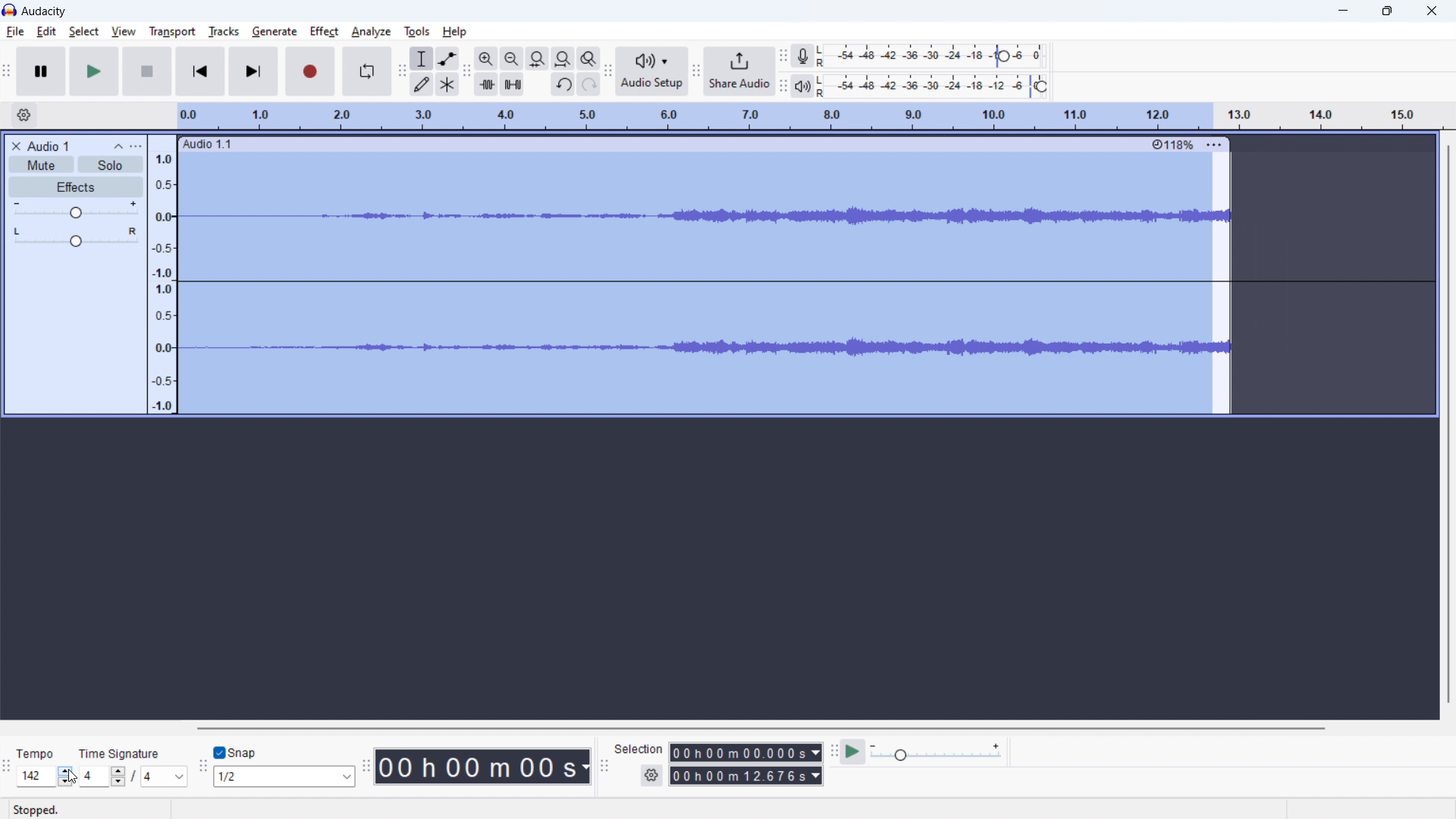  What do you see at coordinates (1215, 145) in the screenshot?
I see `More options` at bounding box center [1215, 145].